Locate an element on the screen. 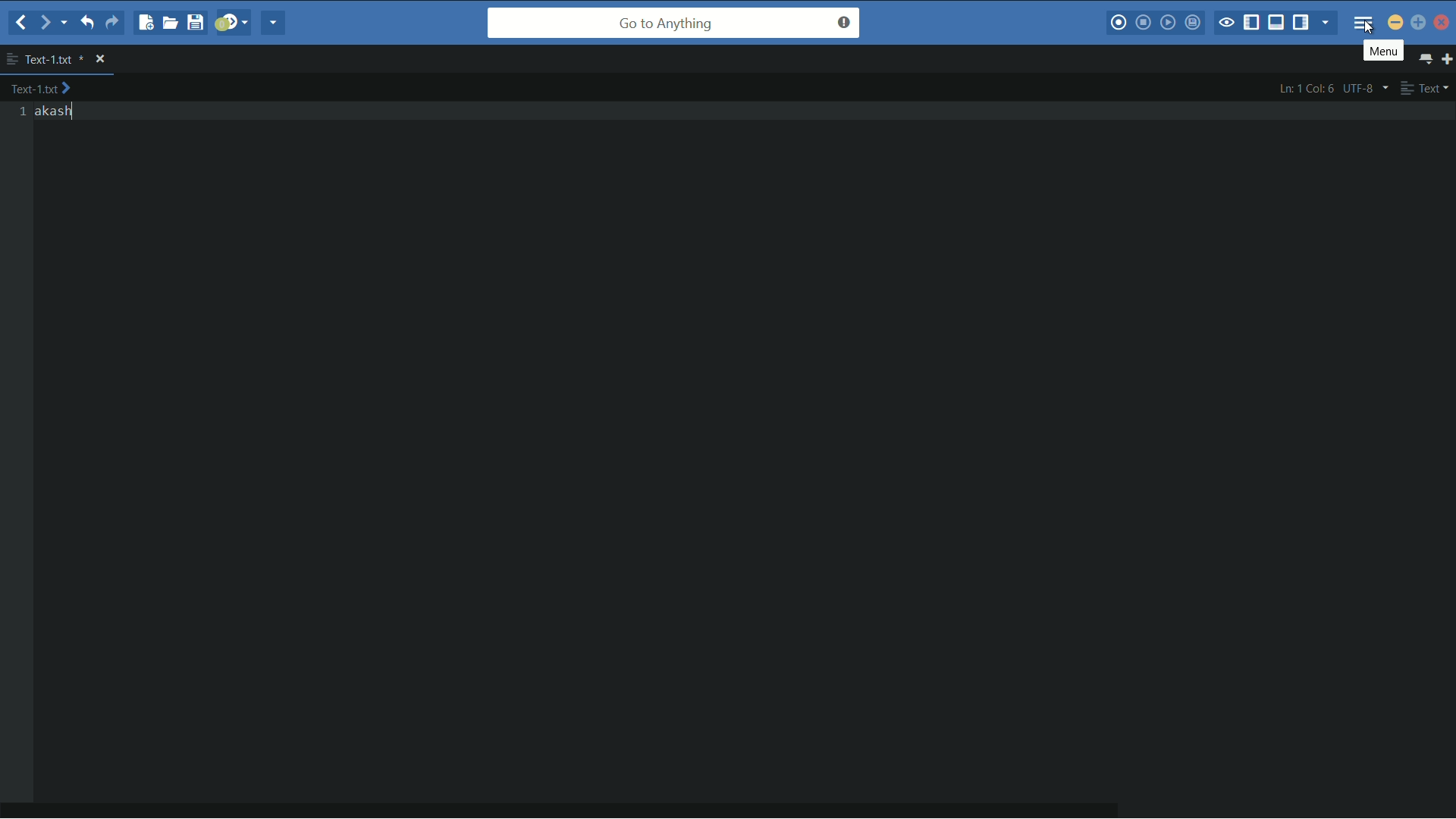 The width and height of the screenshot is (1456, 819). maximize is located at coordinates (1420, 24).